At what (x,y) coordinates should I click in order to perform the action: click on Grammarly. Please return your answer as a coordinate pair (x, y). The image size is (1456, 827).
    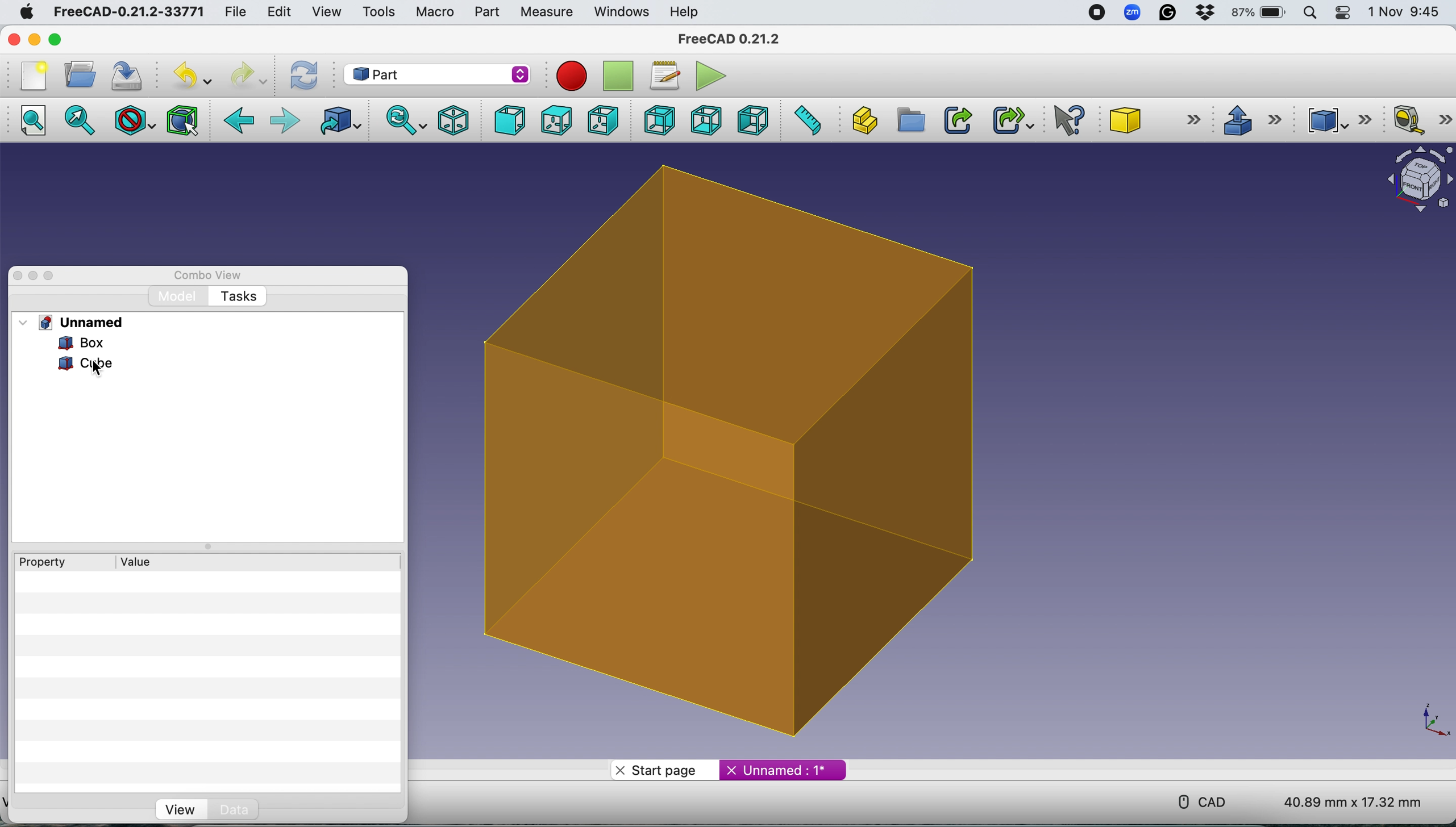
    Looking at the image, I should click on (1169, 12).